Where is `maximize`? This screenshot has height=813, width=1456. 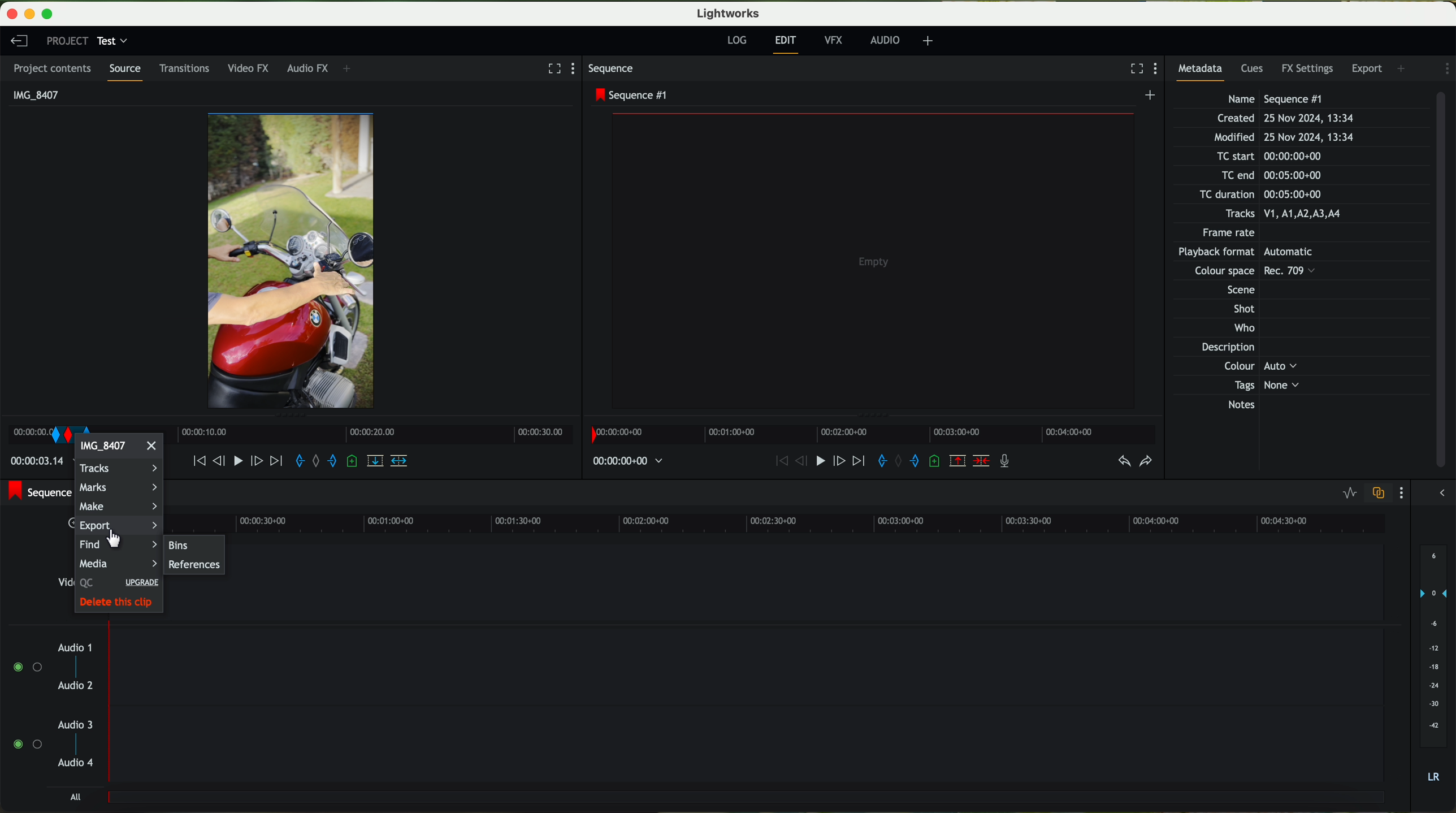 maximize is located at coordinates (54, 12).